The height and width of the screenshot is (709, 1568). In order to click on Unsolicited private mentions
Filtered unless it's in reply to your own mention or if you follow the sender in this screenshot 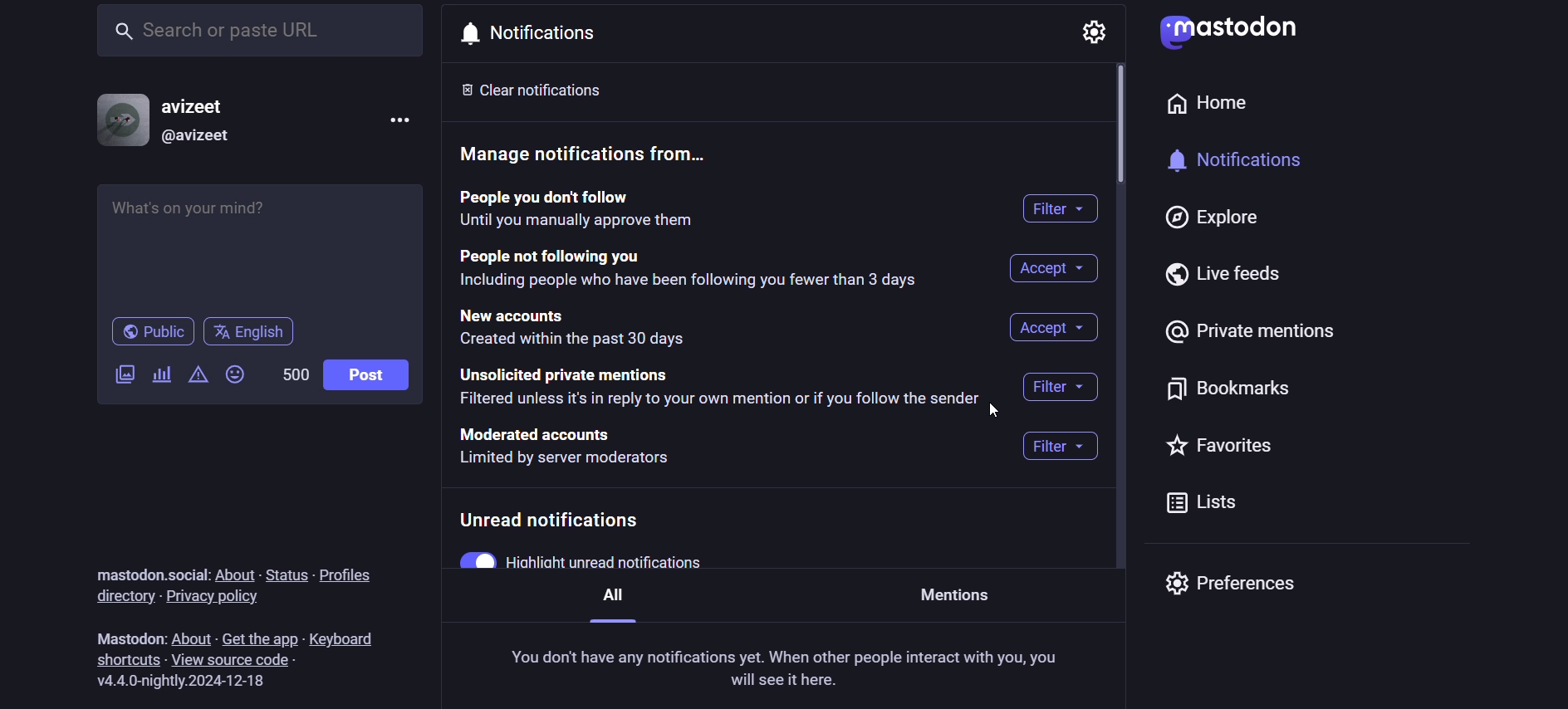, I will do `click(726, 389)`.